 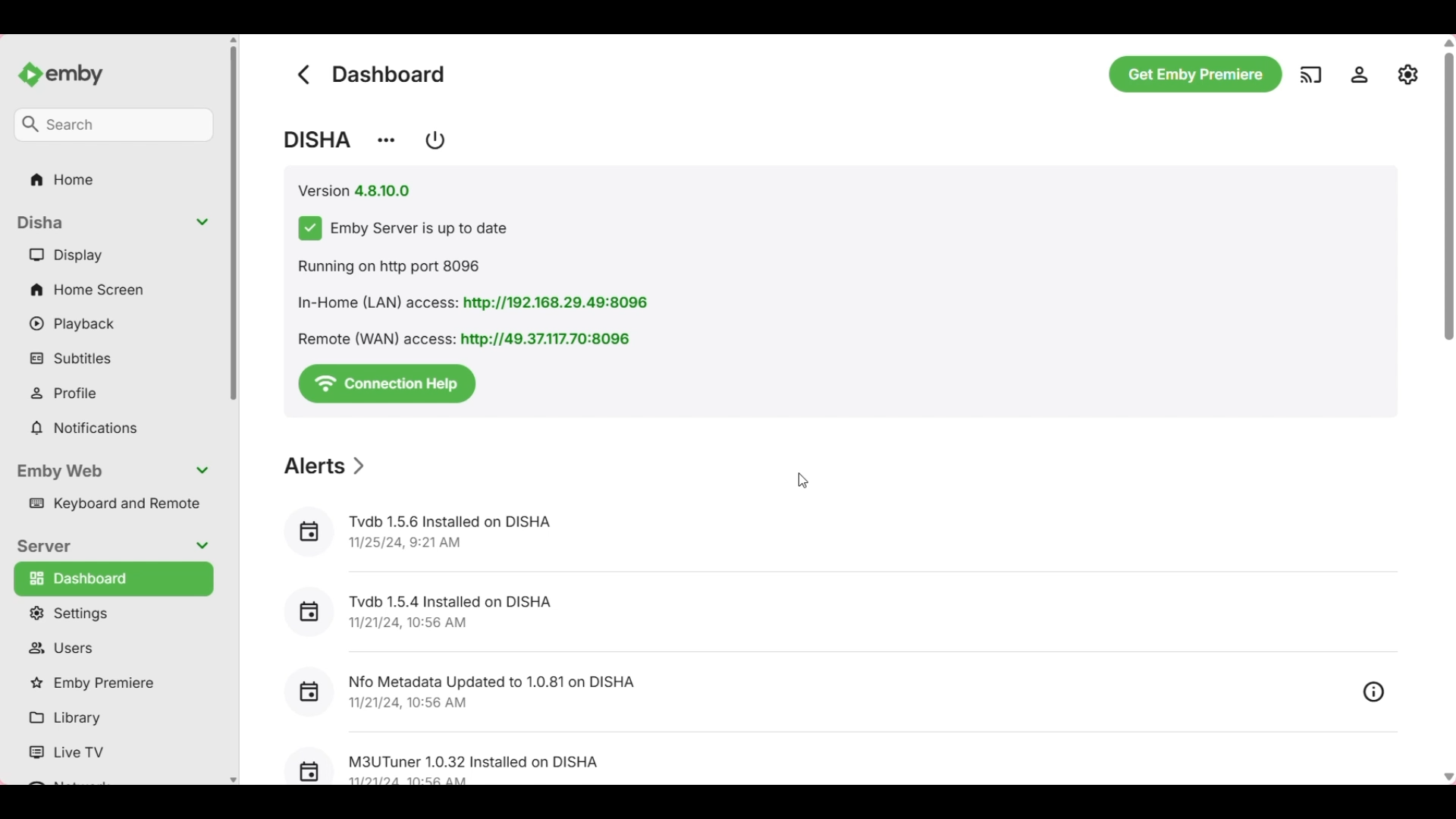 What do you see at coordinates (816, 692) in the screenshot?
I see `Recent alert` at bounding box center [816, 692].